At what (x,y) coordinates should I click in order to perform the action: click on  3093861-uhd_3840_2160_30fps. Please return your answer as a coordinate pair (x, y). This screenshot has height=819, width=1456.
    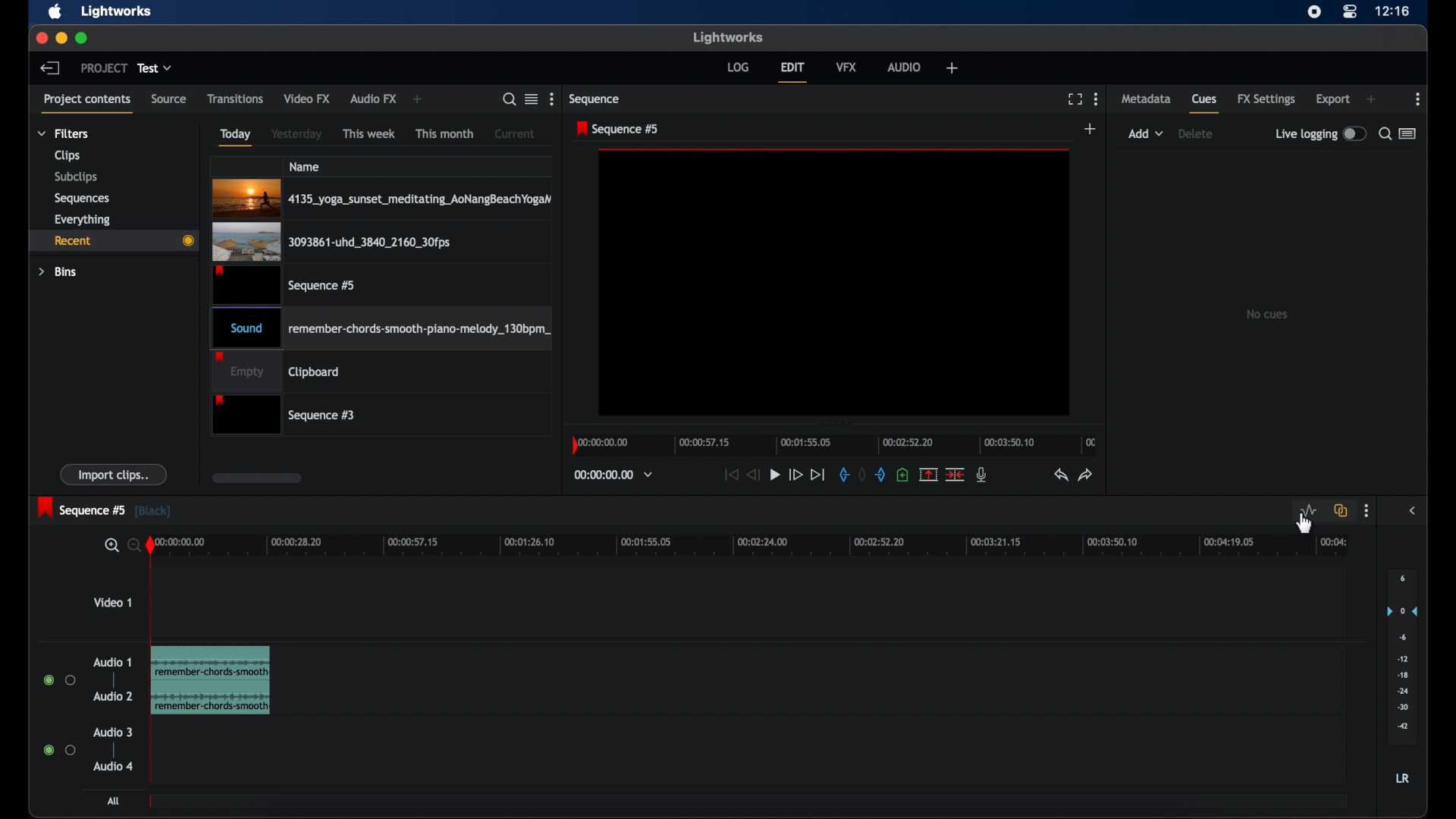
    Looking at the image, I should click on (340, 240).